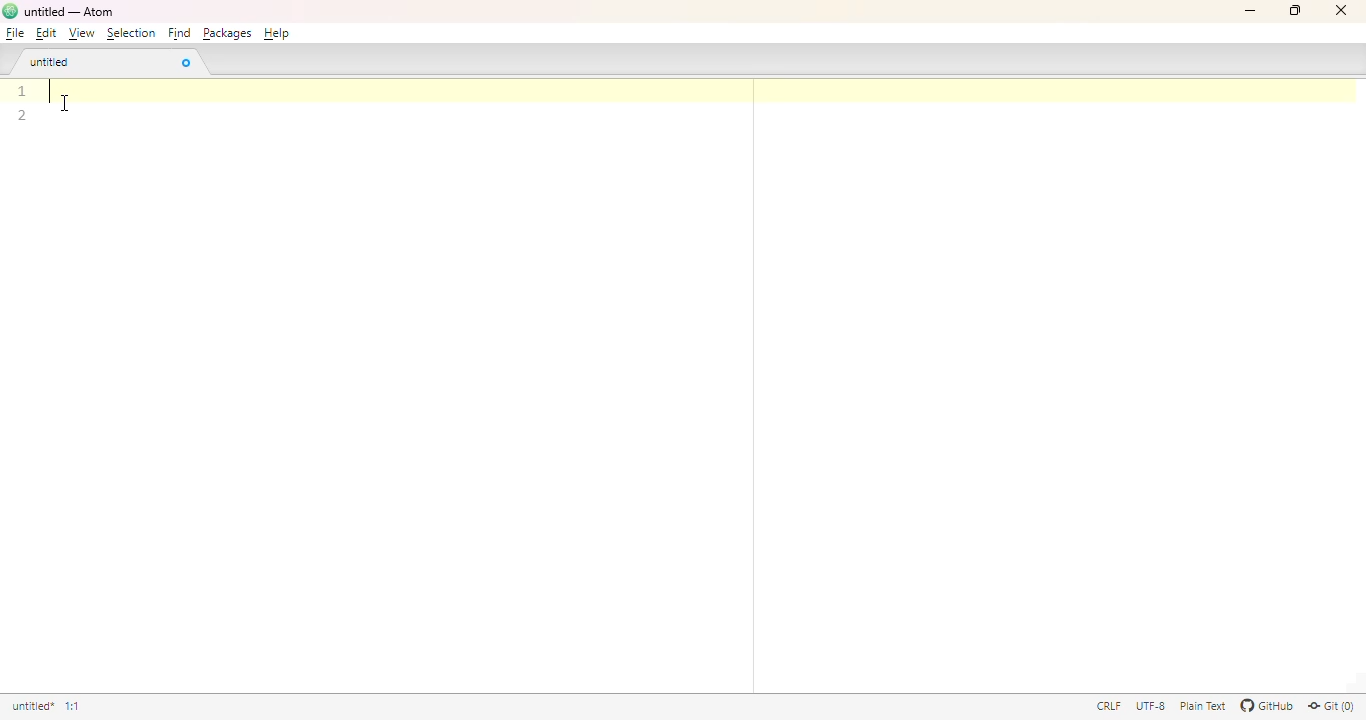  I want to click on CRLF, so click(1107, 707).